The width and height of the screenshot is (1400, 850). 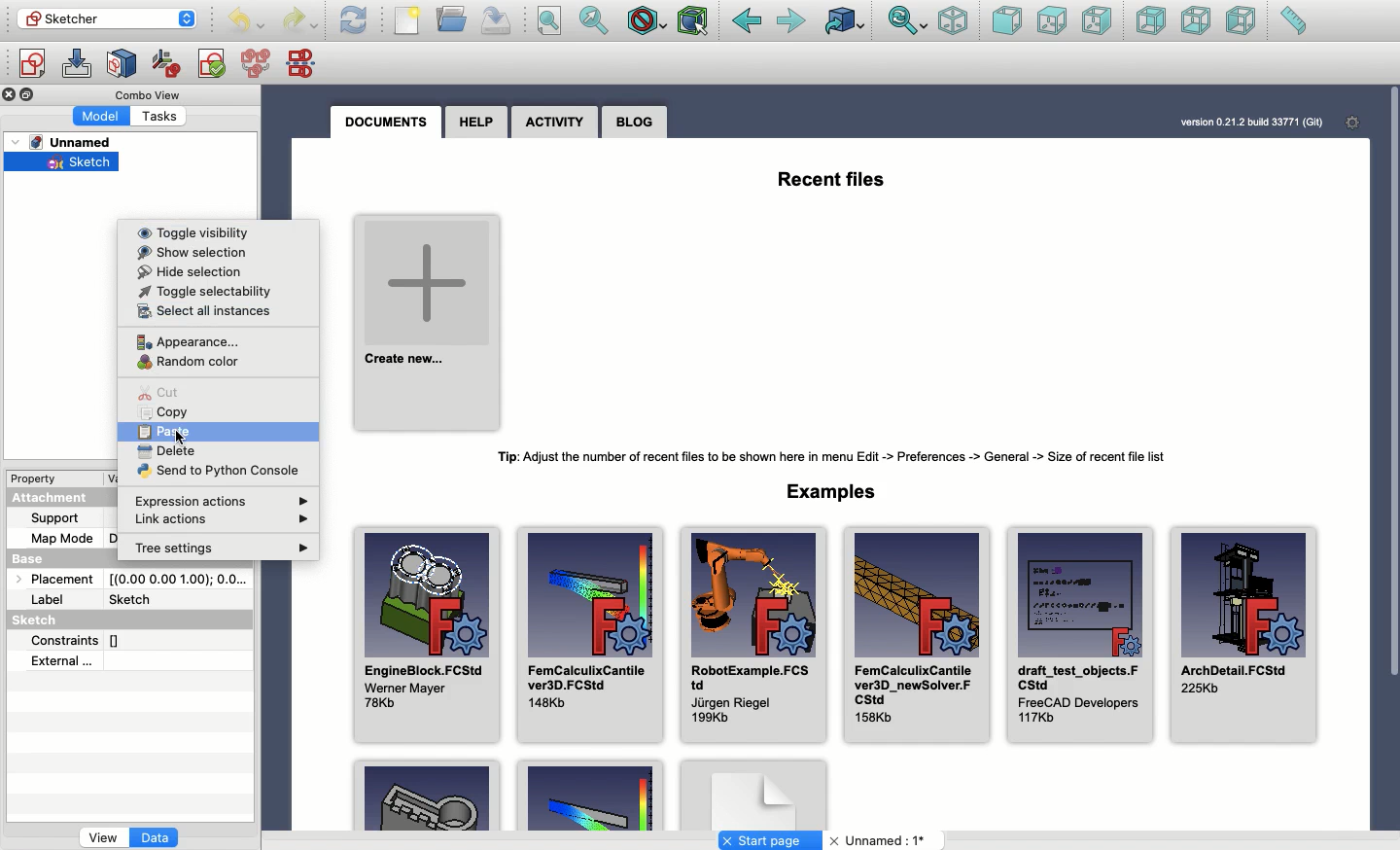 What do you see at coordinates (103, 115) in the screenshot?
I see `Model+` at bounding box center [103, 115].